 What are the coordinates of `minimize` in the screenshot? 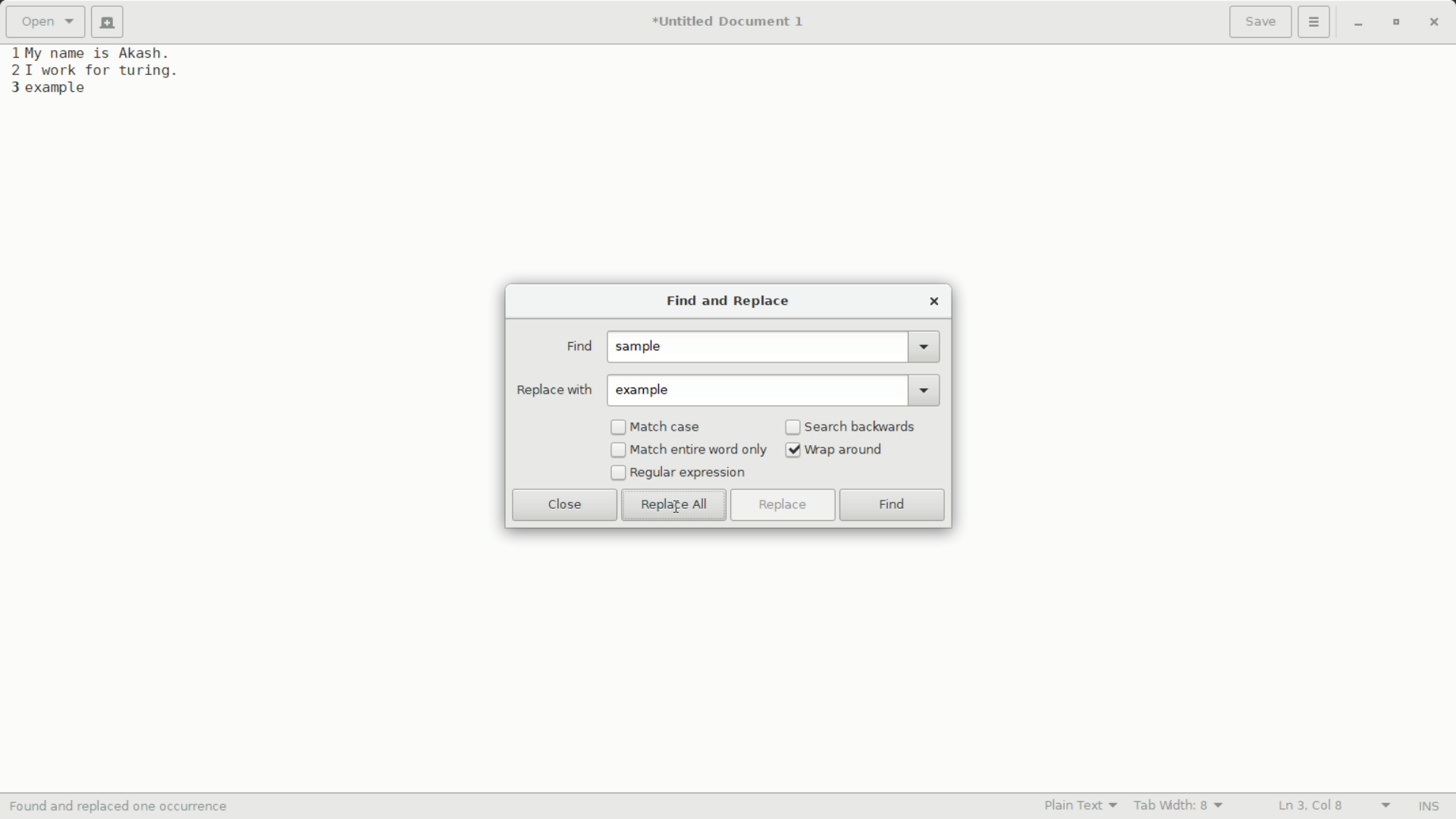 It's located at (1358, 24).